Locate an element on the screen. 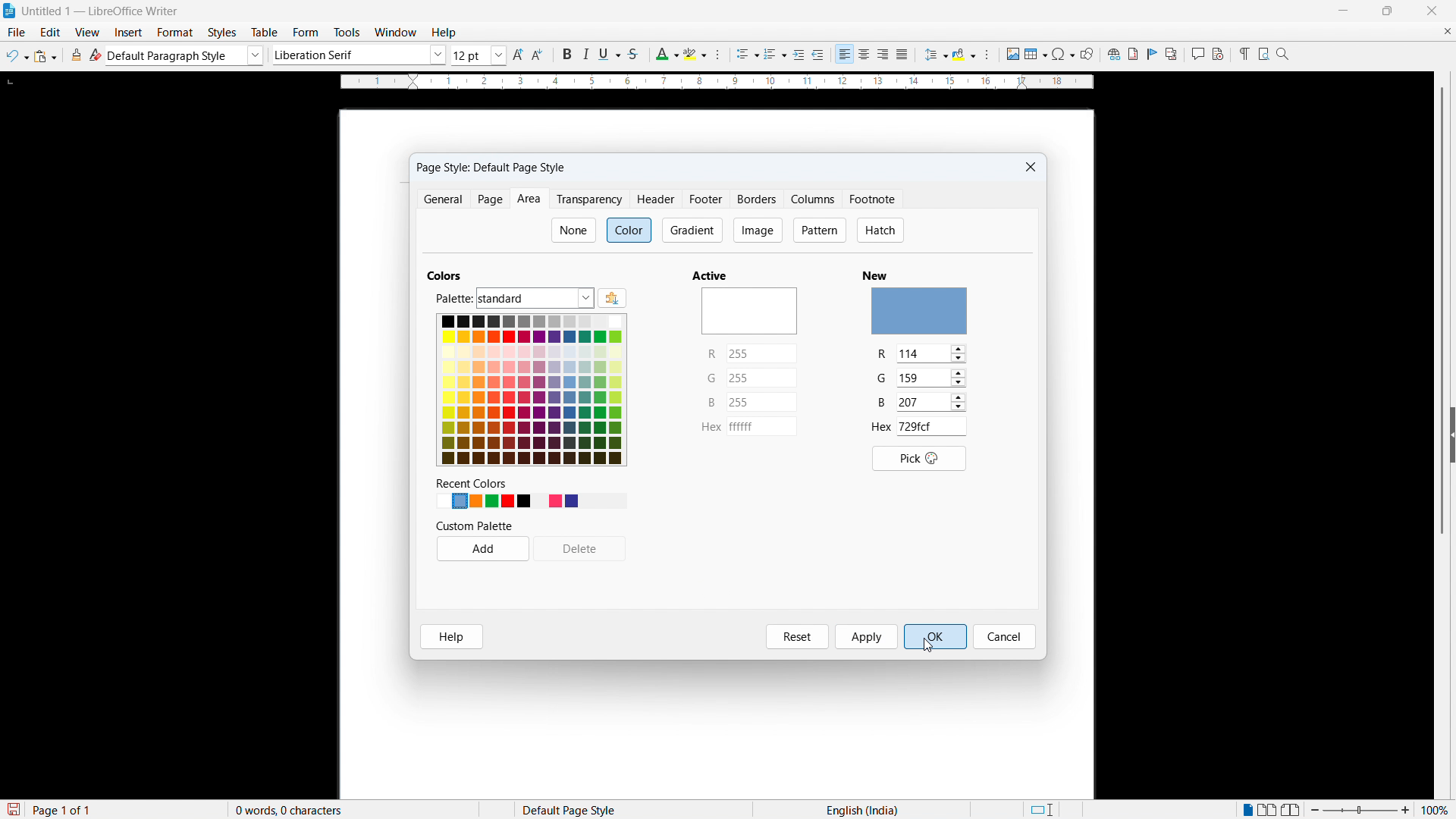  Language  is located at coordinates (862, 809).